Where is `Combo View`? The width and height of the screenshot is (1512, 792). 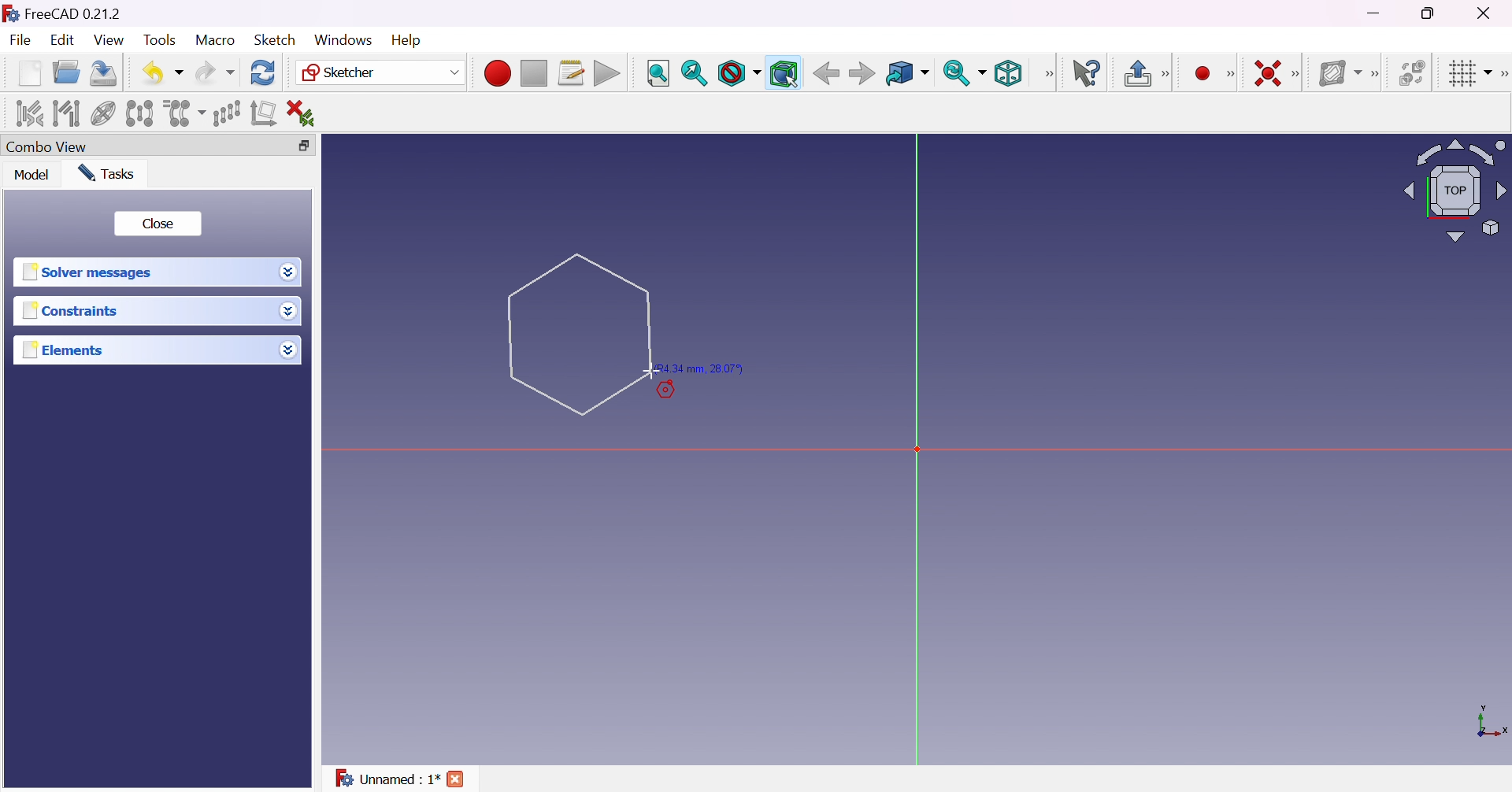
Combo View is located at coordinates (47, 146).